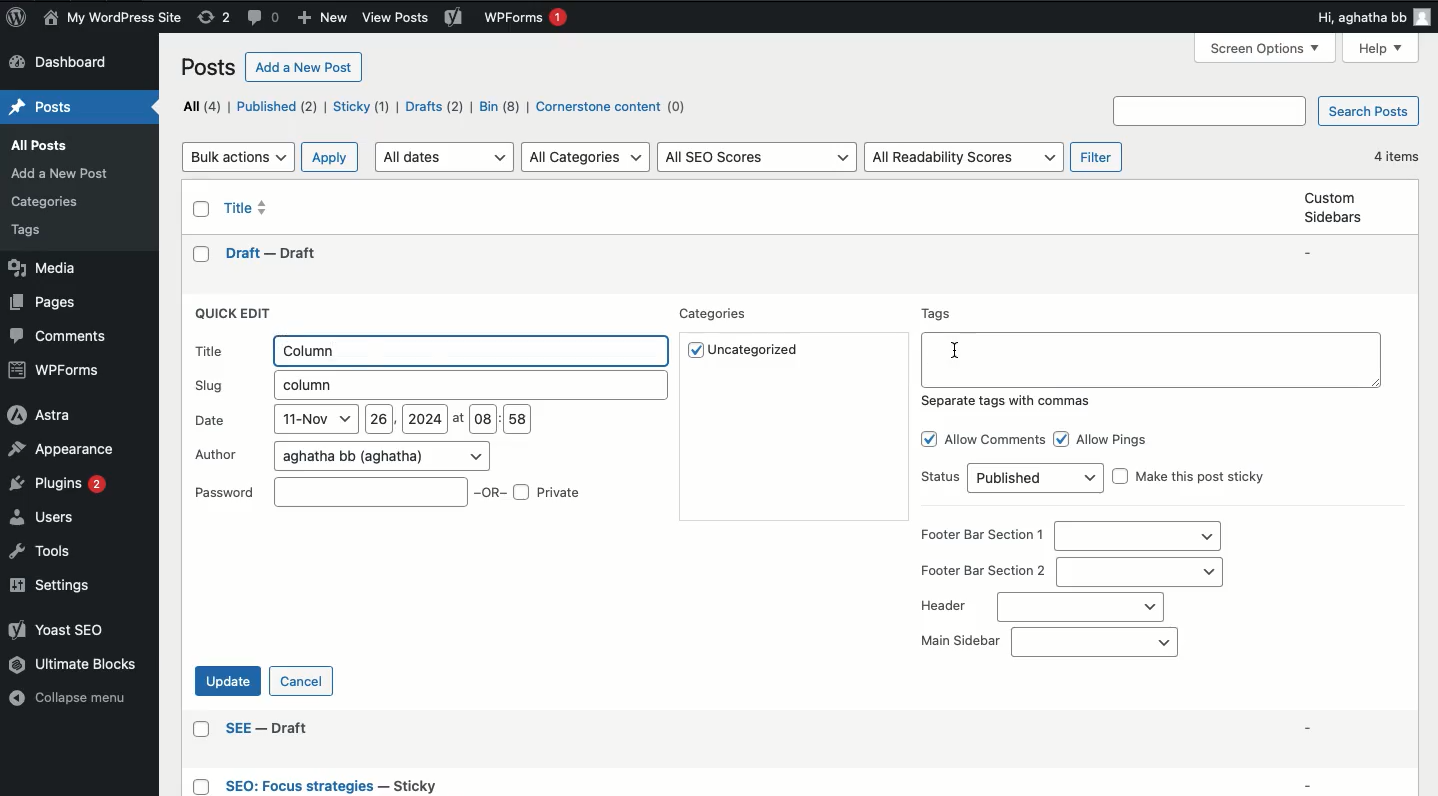  I want to click on Make this post sticky, so click(1190, 474).